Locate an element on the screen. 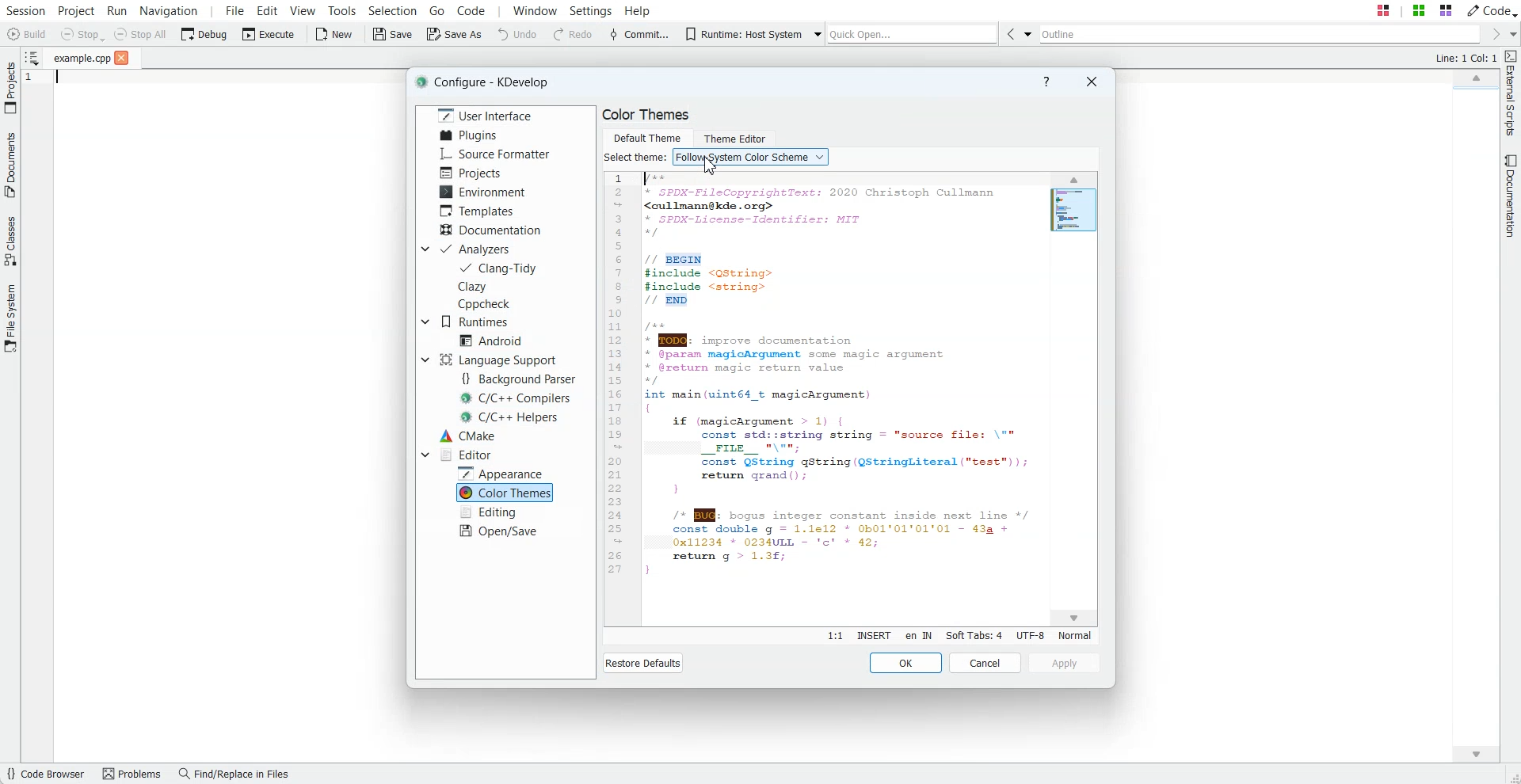 This screenshot has width=1521, height=784. Undo is located at coordinates (517, 35).